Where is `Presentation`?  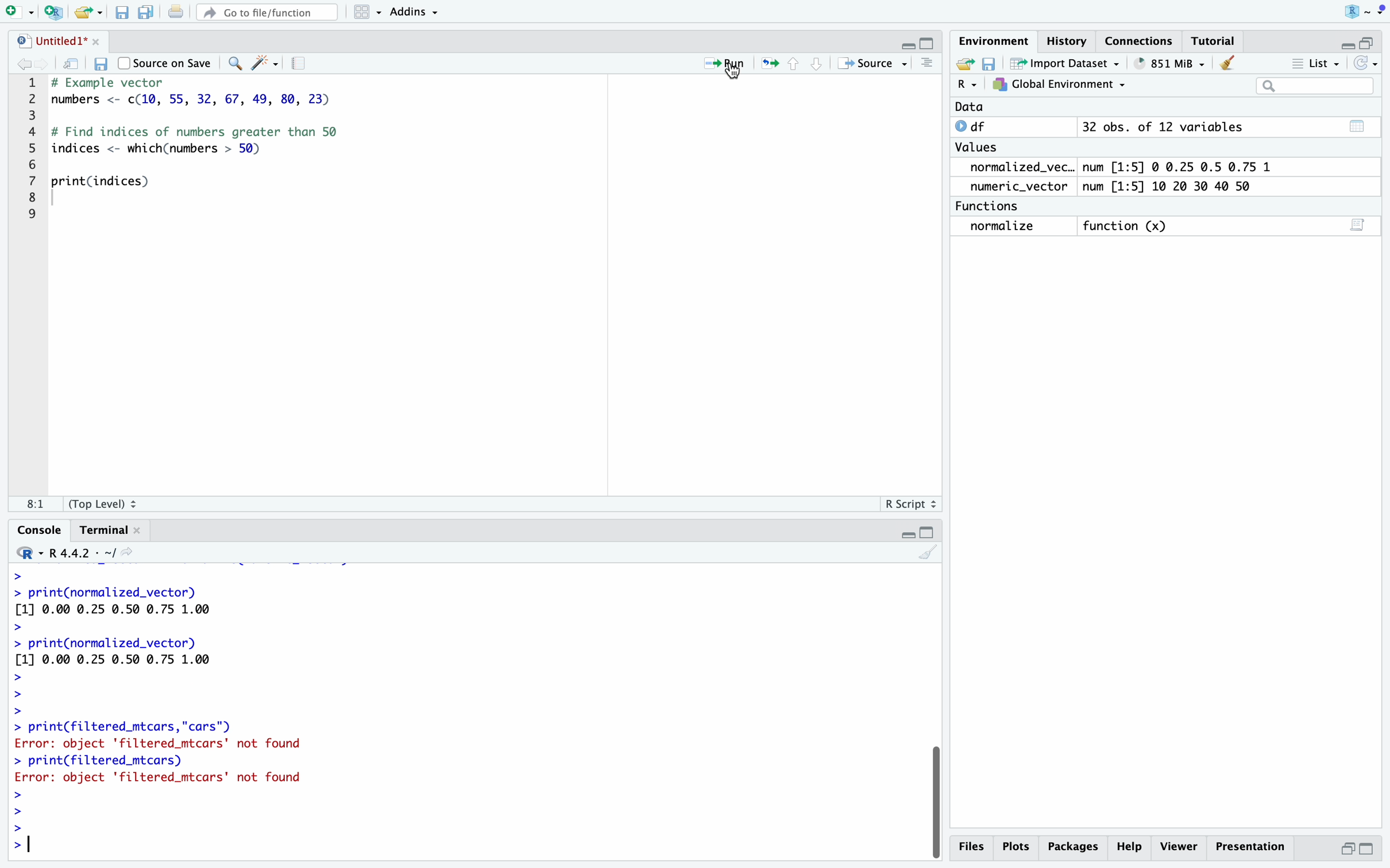
Presentation is located at coordinates (1249, 843).